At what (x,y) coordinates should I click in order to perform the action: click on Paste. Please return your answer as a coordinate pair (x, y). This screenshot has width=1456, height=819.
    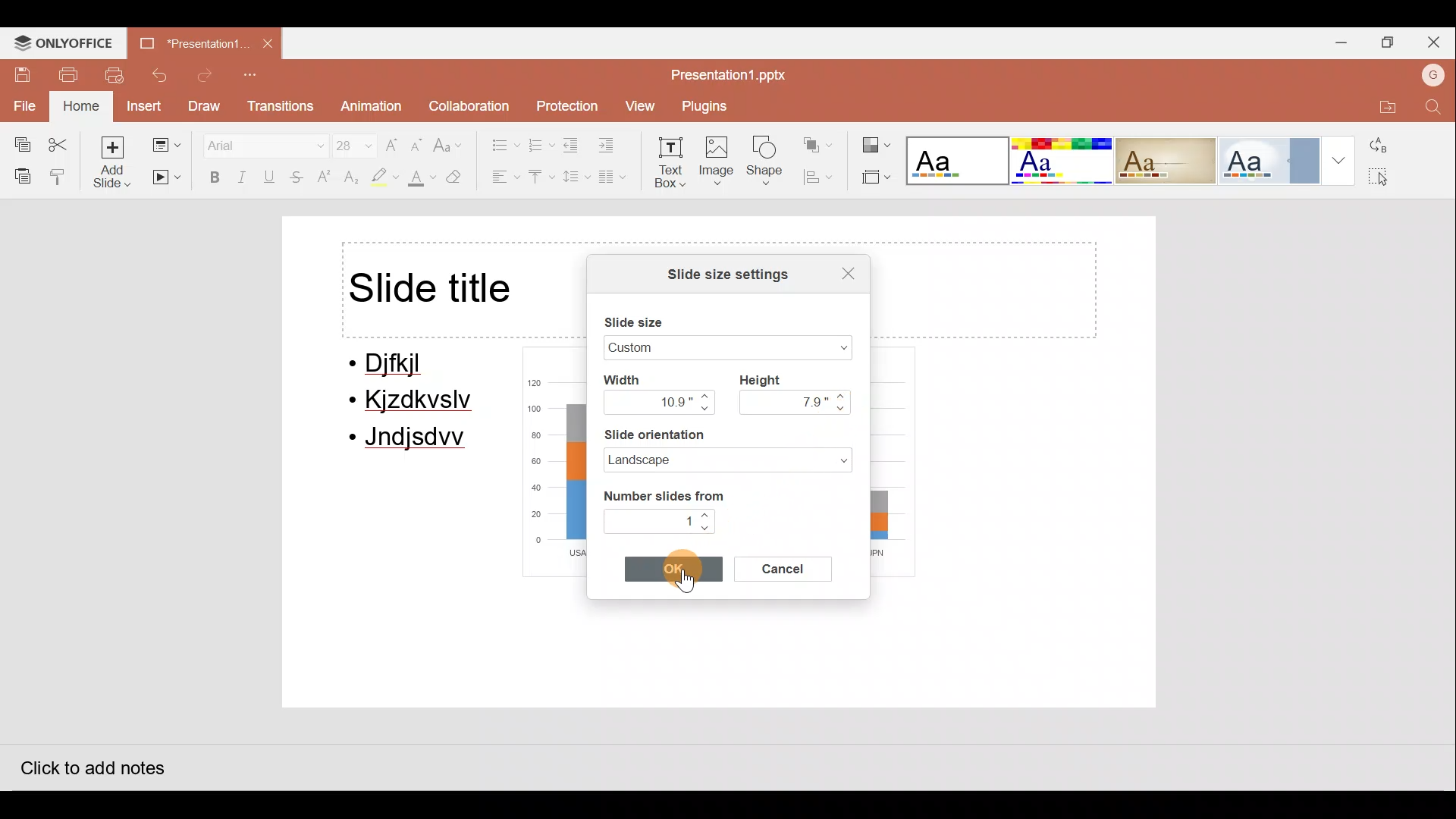
    Looking at the image, I should click on (19, 175).